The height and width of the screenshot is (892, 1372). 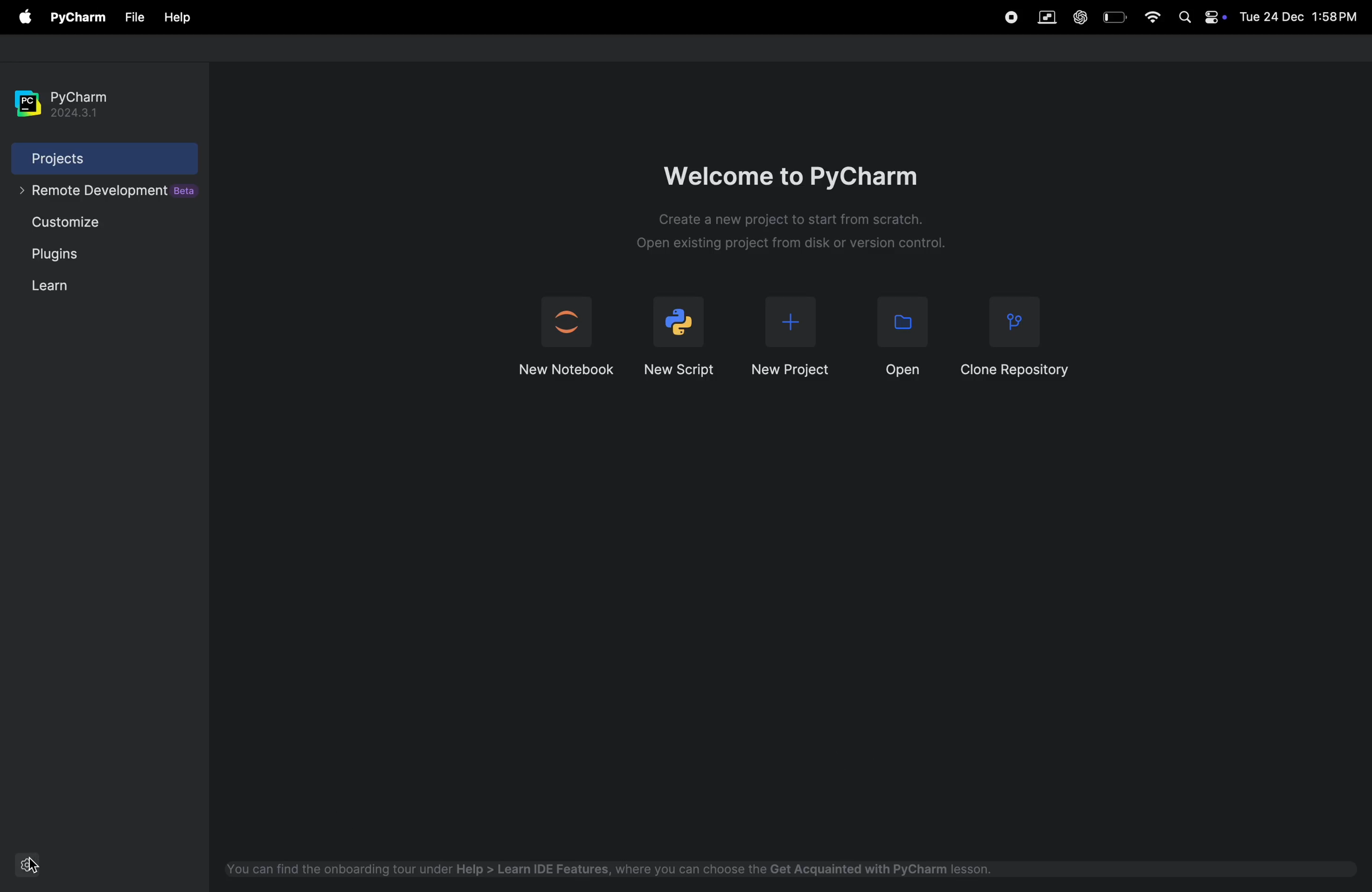 I want to click on record, so click(x=1009, y=18).